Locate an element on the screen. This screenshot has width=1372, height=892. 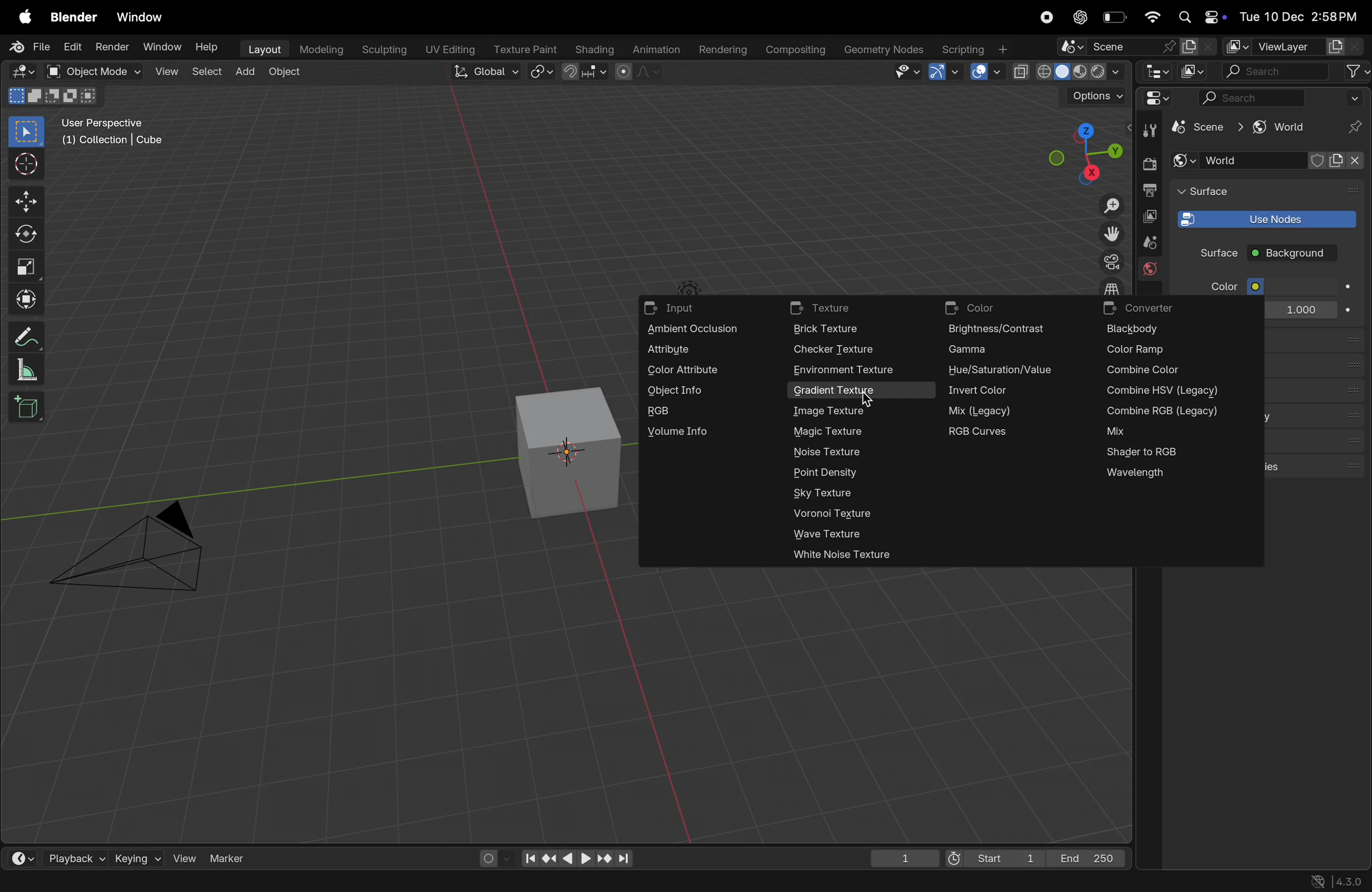
Geometry name is located at coordinates (884, 50).